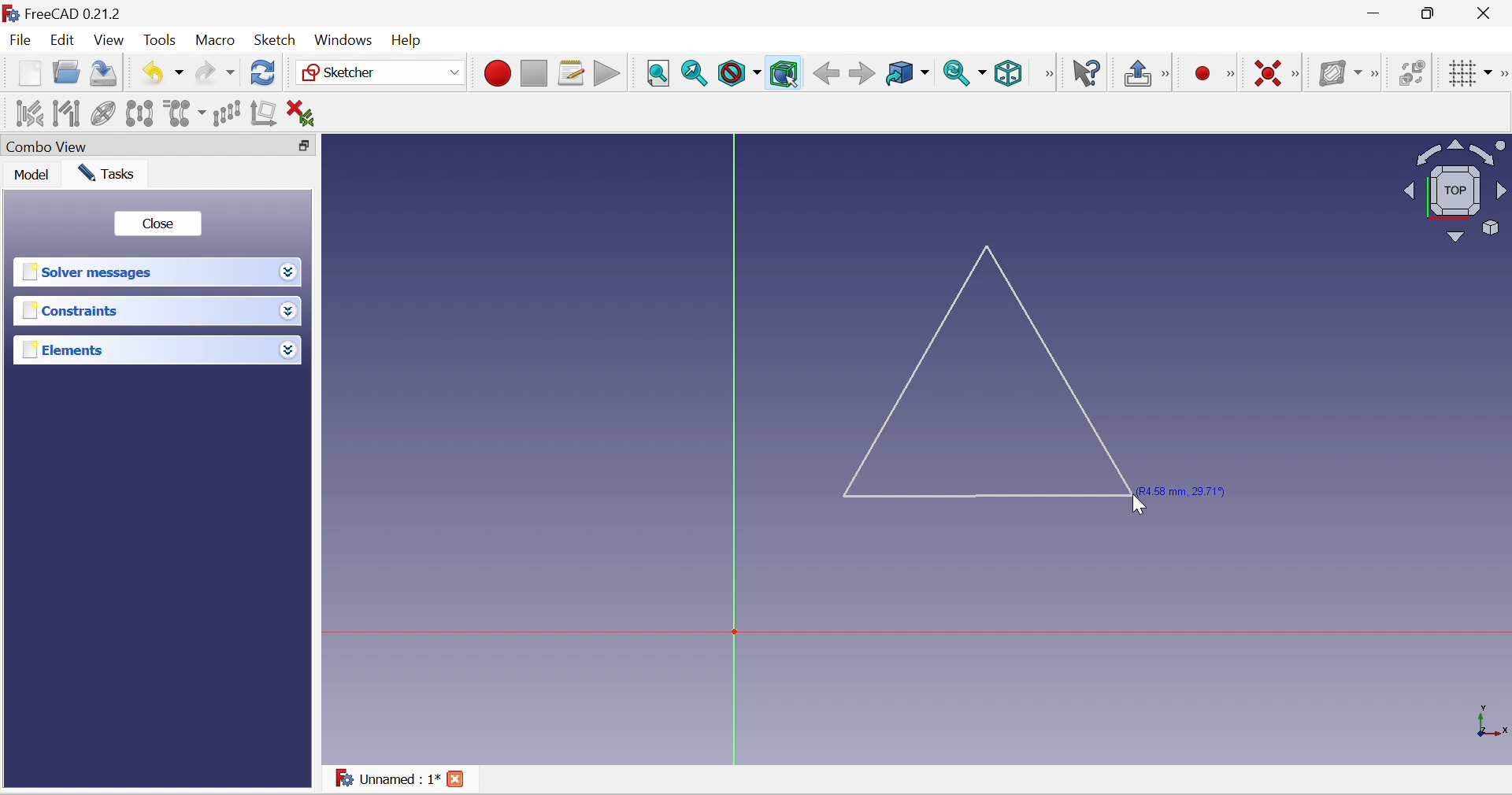 This screenshot has width=1512, height=795. What do you see at coordinates (862, 74) in the screenshot?
I see `Forward` at bounding box center [862, 74].